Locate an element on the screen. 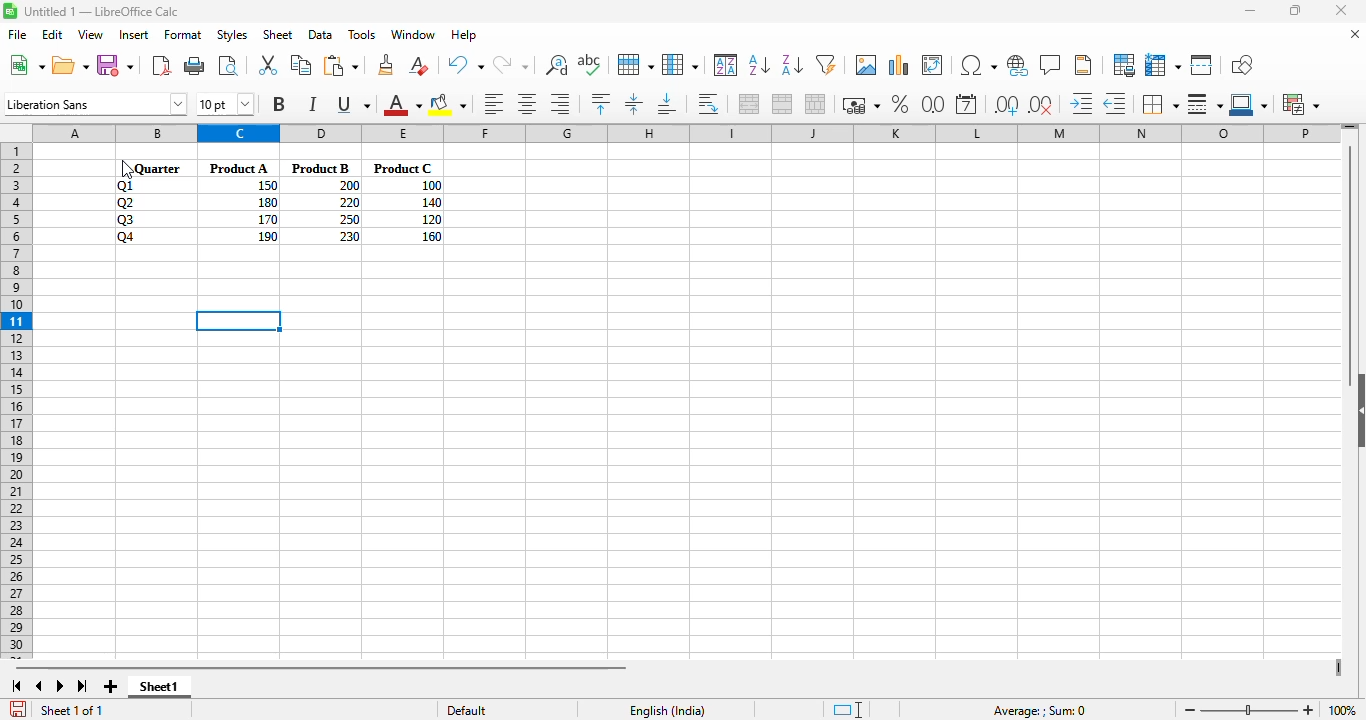 The image size is (1366, 720). format as percent is located at coordinates (899, 103).